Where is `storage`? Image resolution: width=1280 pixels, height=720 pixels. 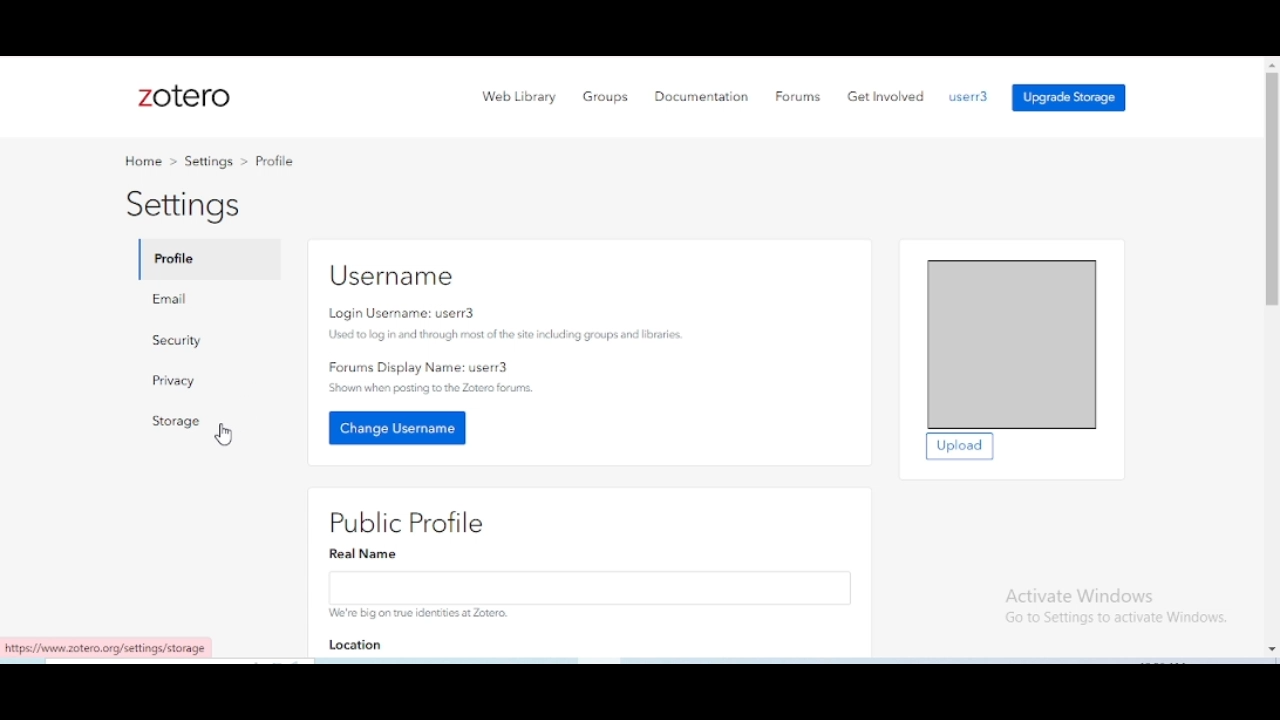 storage is located at coordinates (174, 421).